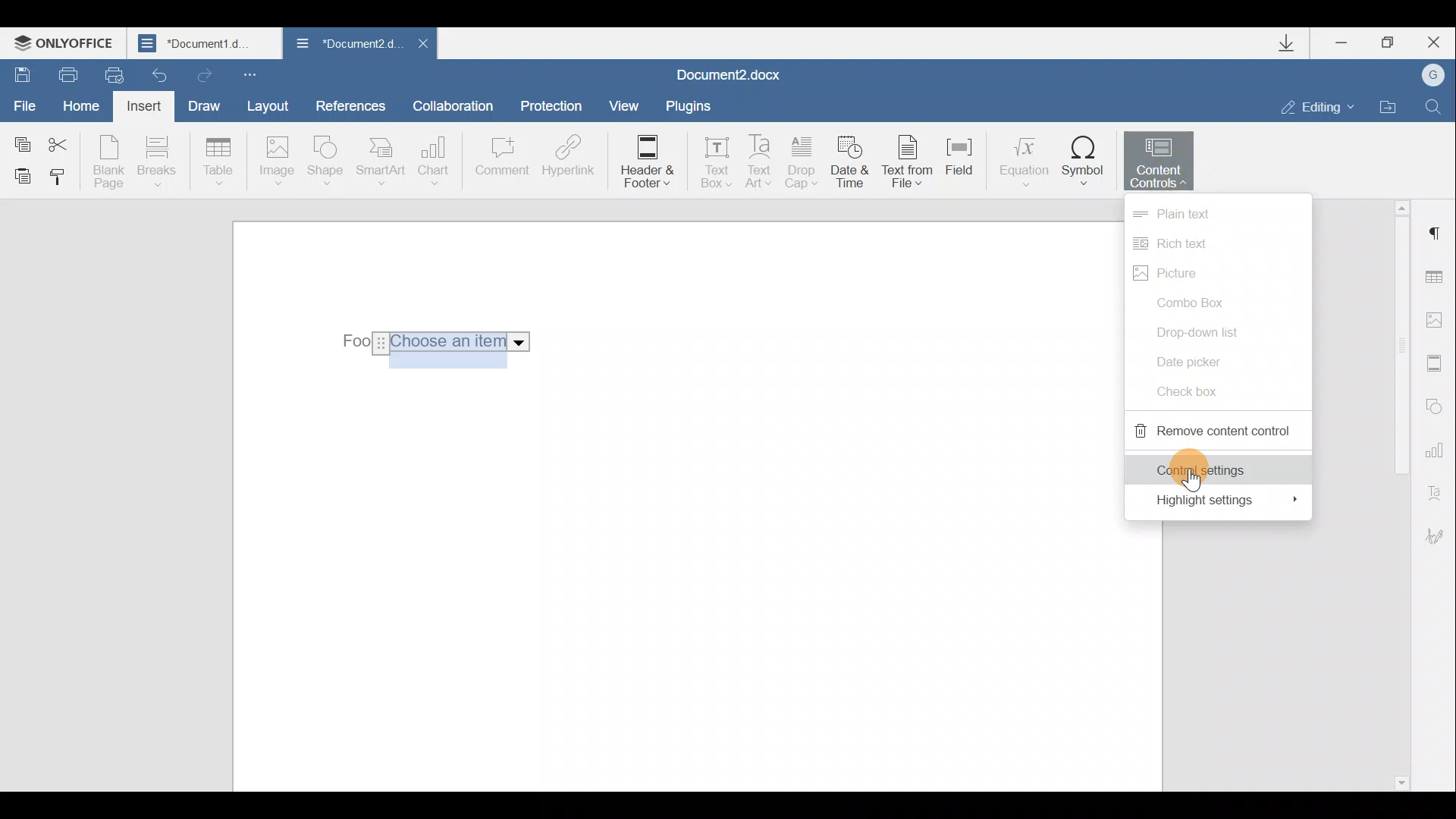 The width and height of the screenshot is (1456, 819). What do you see at coordinates (1164, 158) in the screenshot?
I see `Content controls` at bounding box center [1164, 158].